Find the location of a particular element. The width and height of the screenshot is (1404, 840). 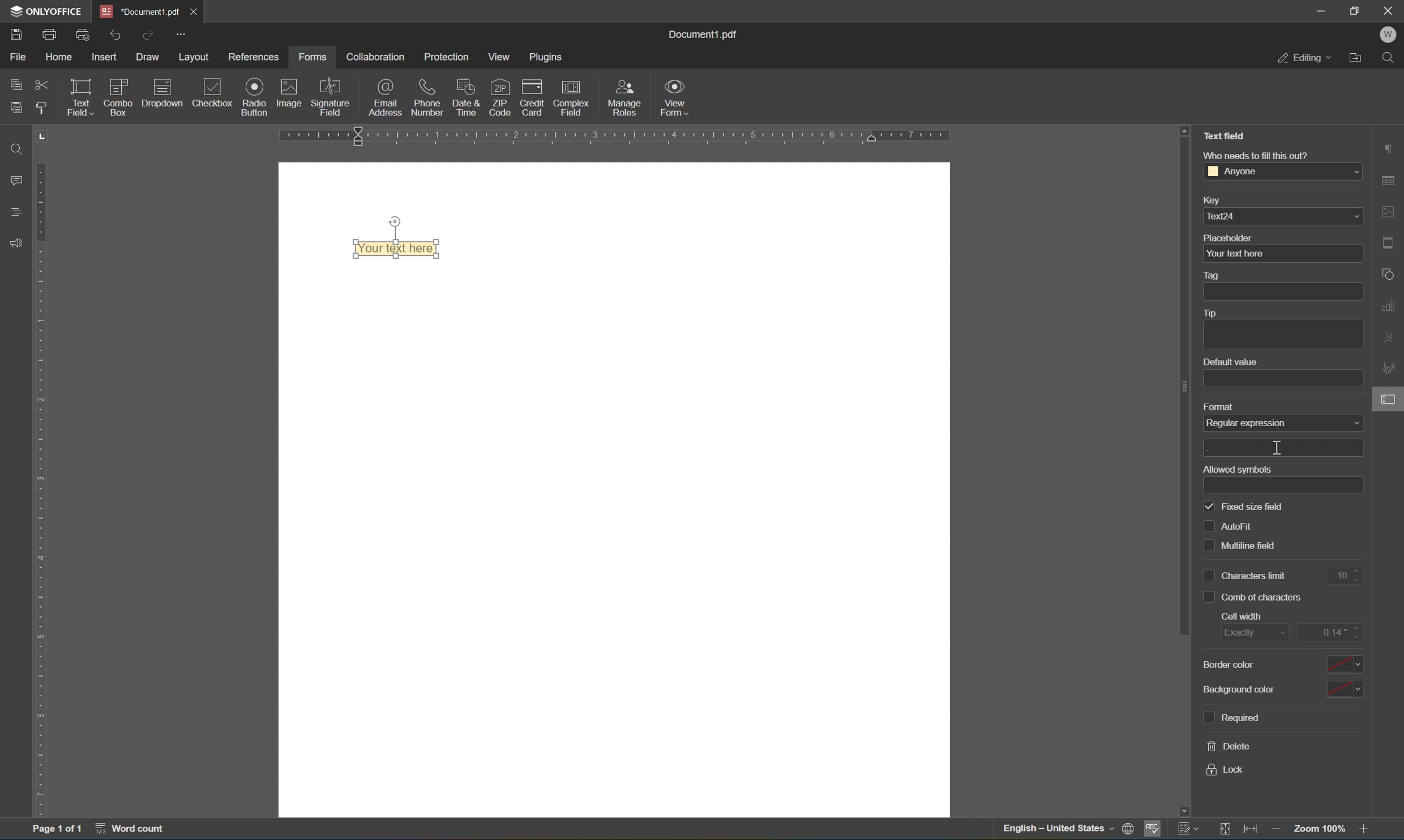

save is located at coordinates (16, 36).